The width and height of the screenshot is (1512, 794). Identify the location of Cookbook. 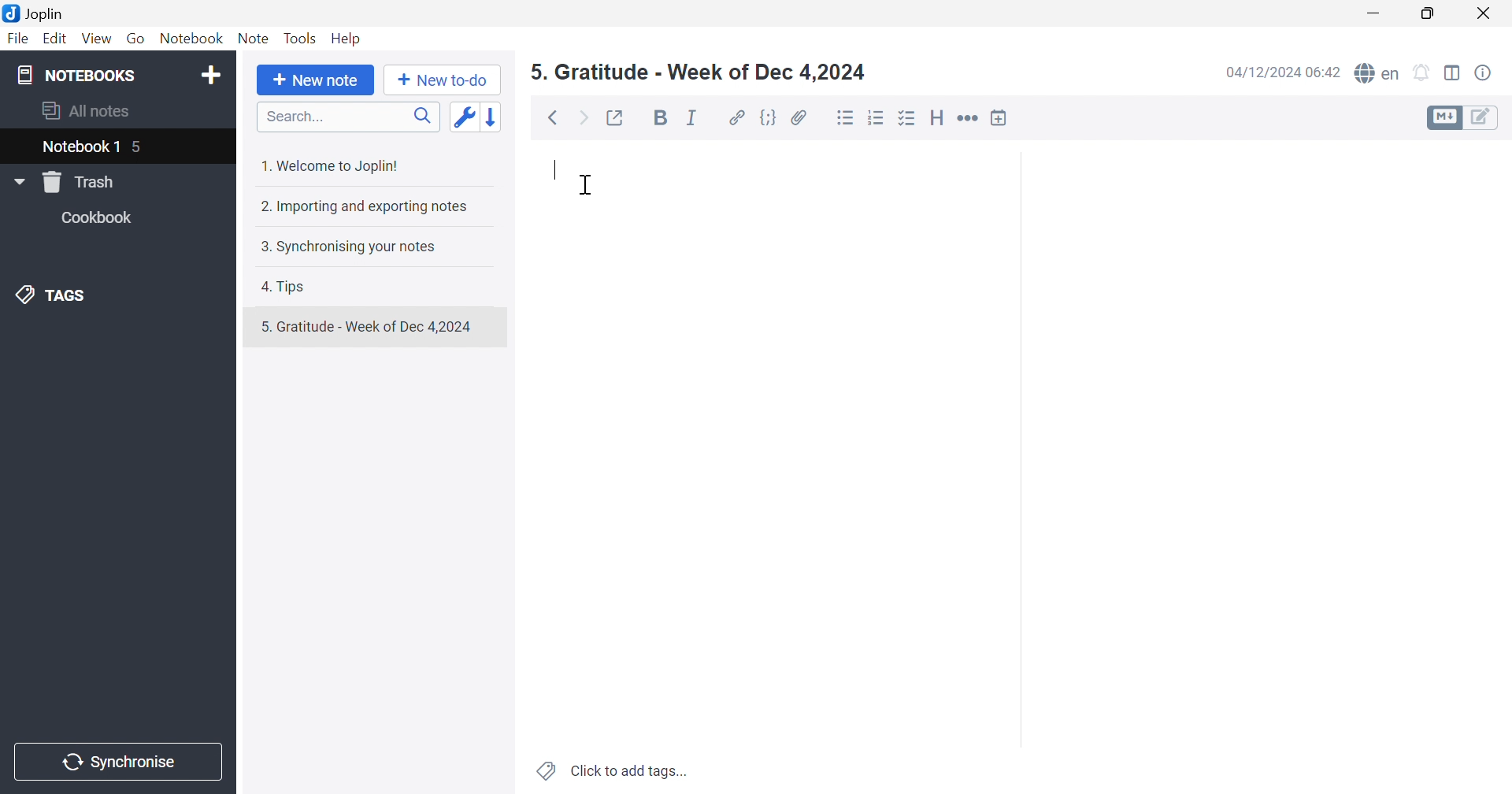
(102, 217).